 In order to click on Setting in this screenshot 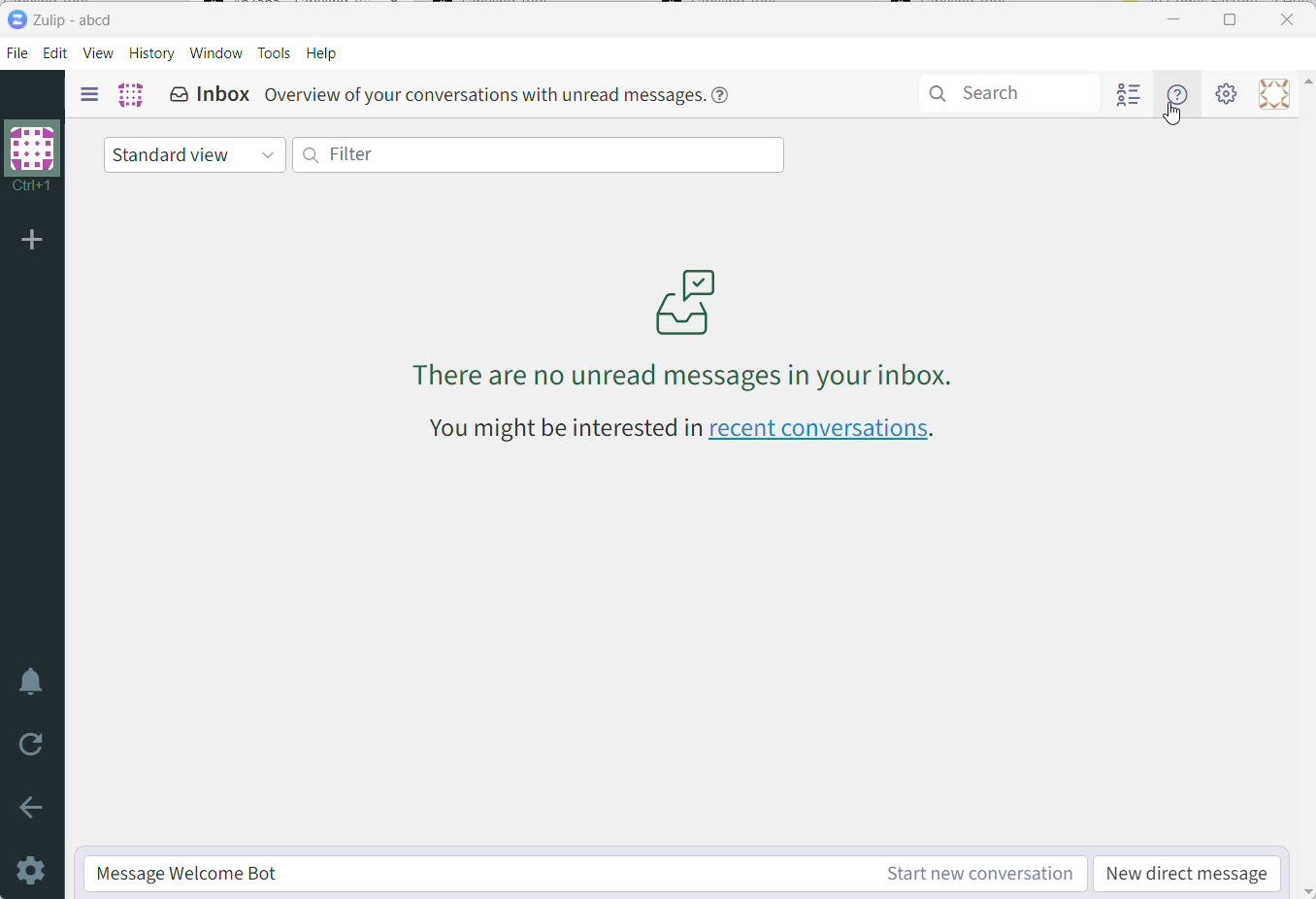, I will do `click(1226, 93)`.